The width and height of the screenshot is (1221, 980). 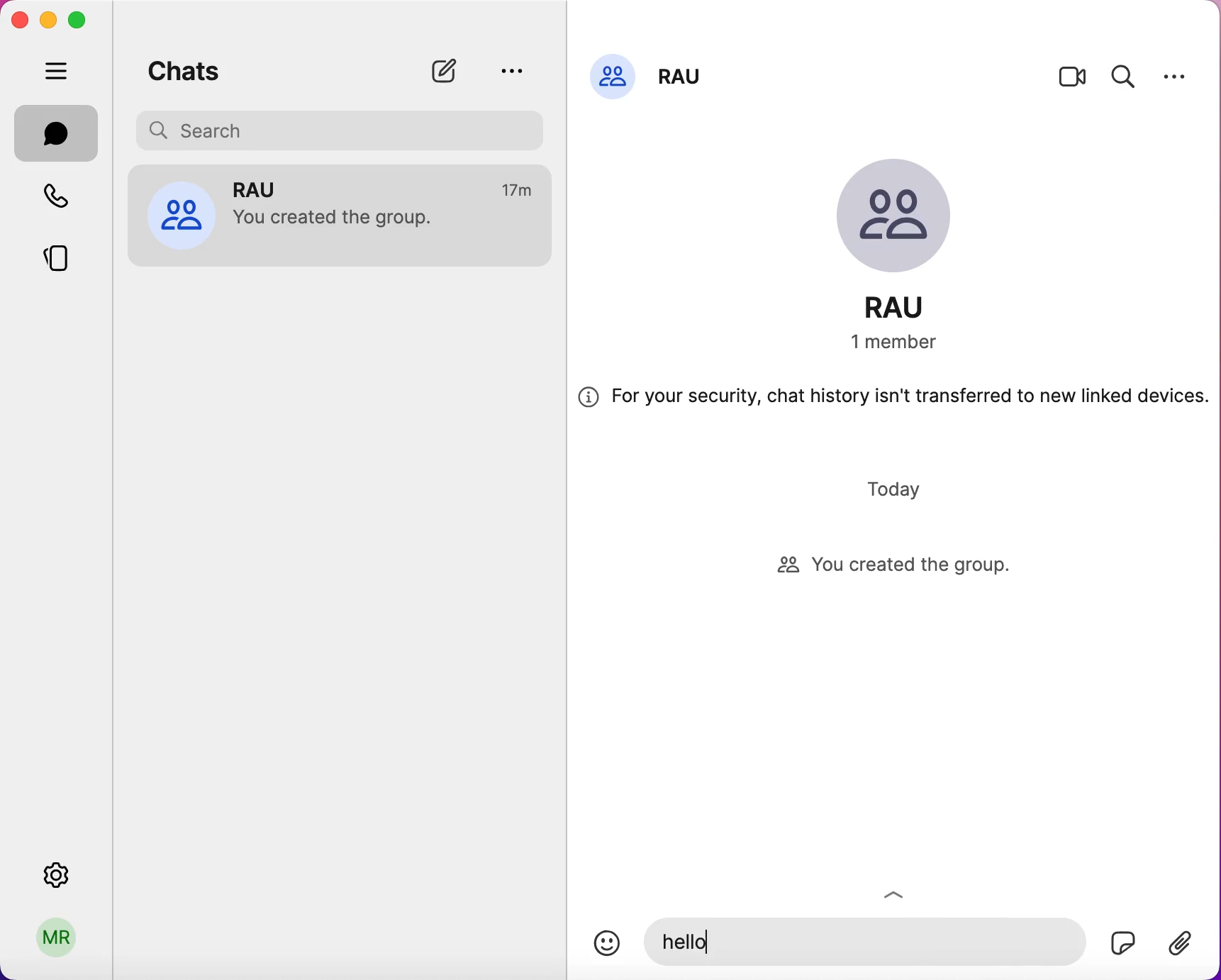 What do you see at coordinates (342, 221) in the screenshot?
I see `You created the group.` at bounding box center [342, 221].